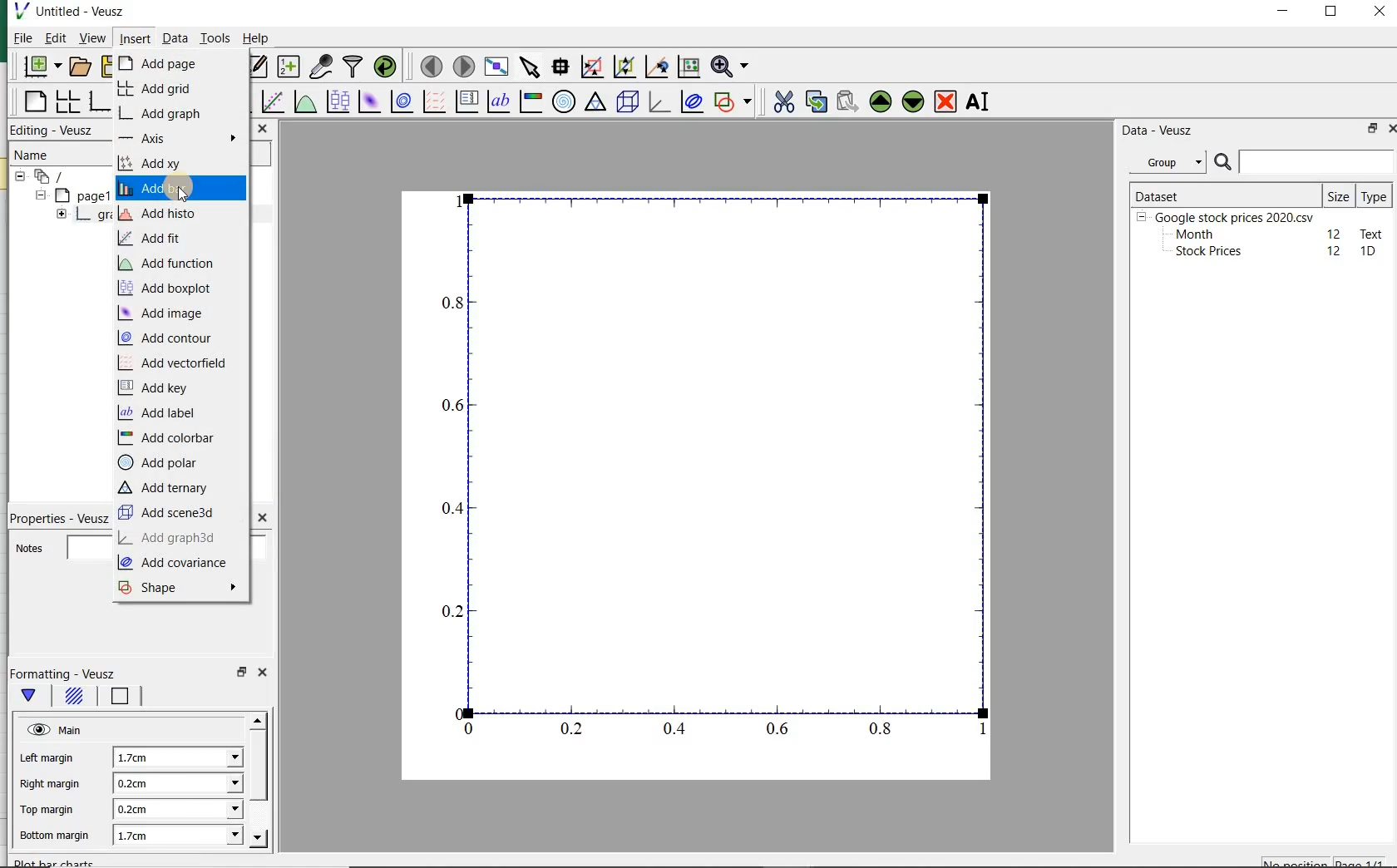  What do you see at coordinates (353, 66) in the screenshot?
I see `filter data` at bounding box center [353, 66].